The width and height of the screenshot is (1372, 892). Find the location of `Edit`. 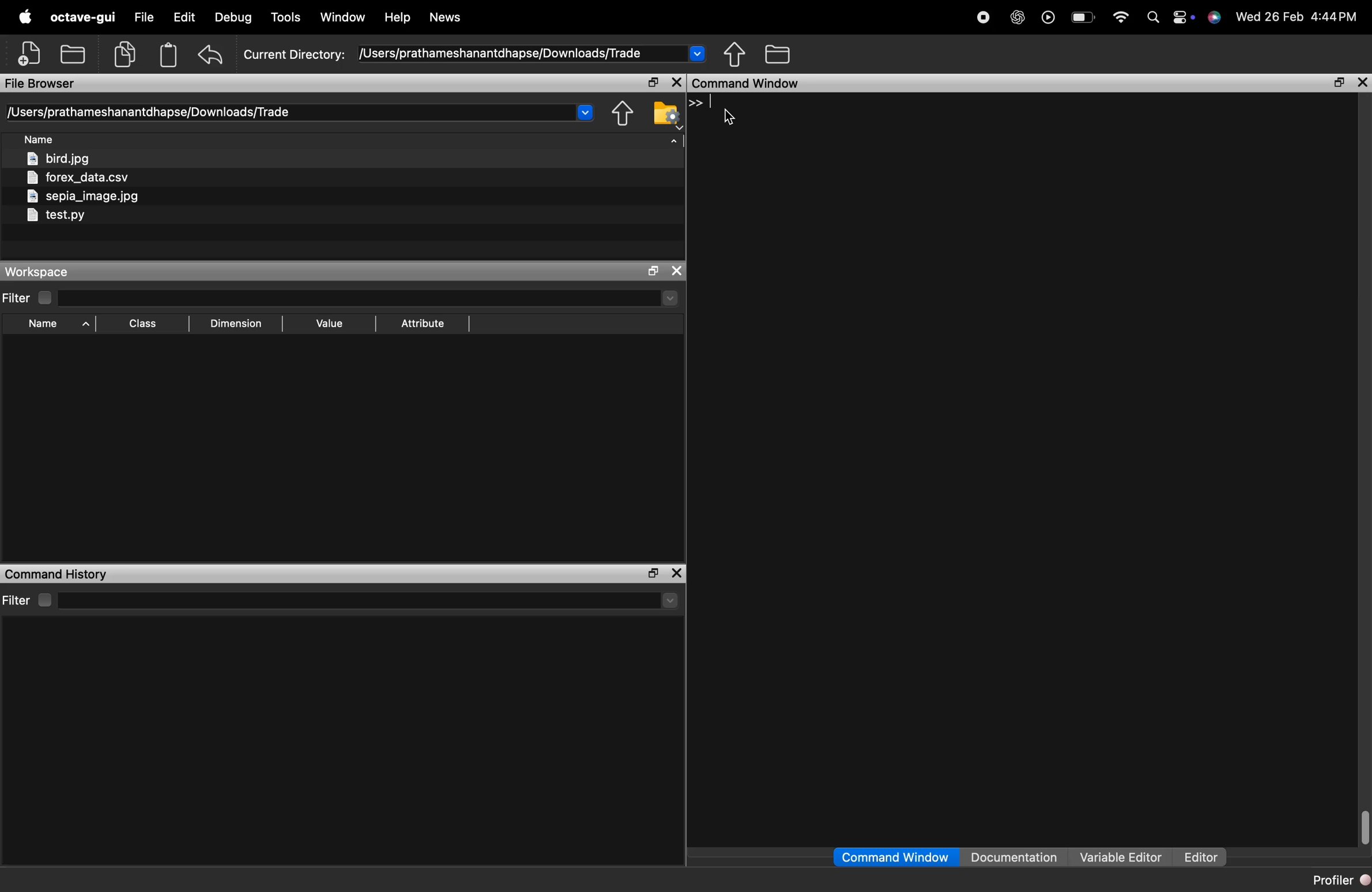

Edit is located at coordinates (184, 16).